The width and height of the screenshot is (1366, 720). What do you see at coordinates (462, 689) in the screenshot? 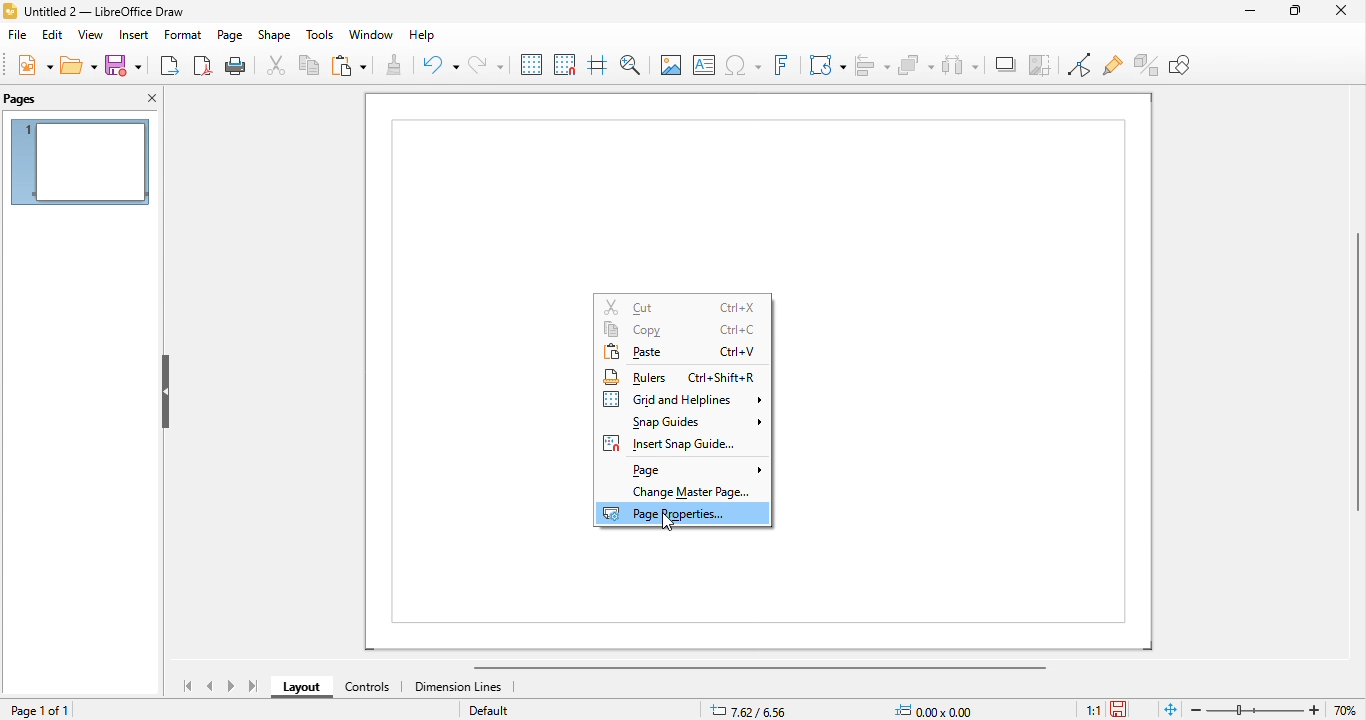
I see `dimension lines` at bounding box center [462, 689].